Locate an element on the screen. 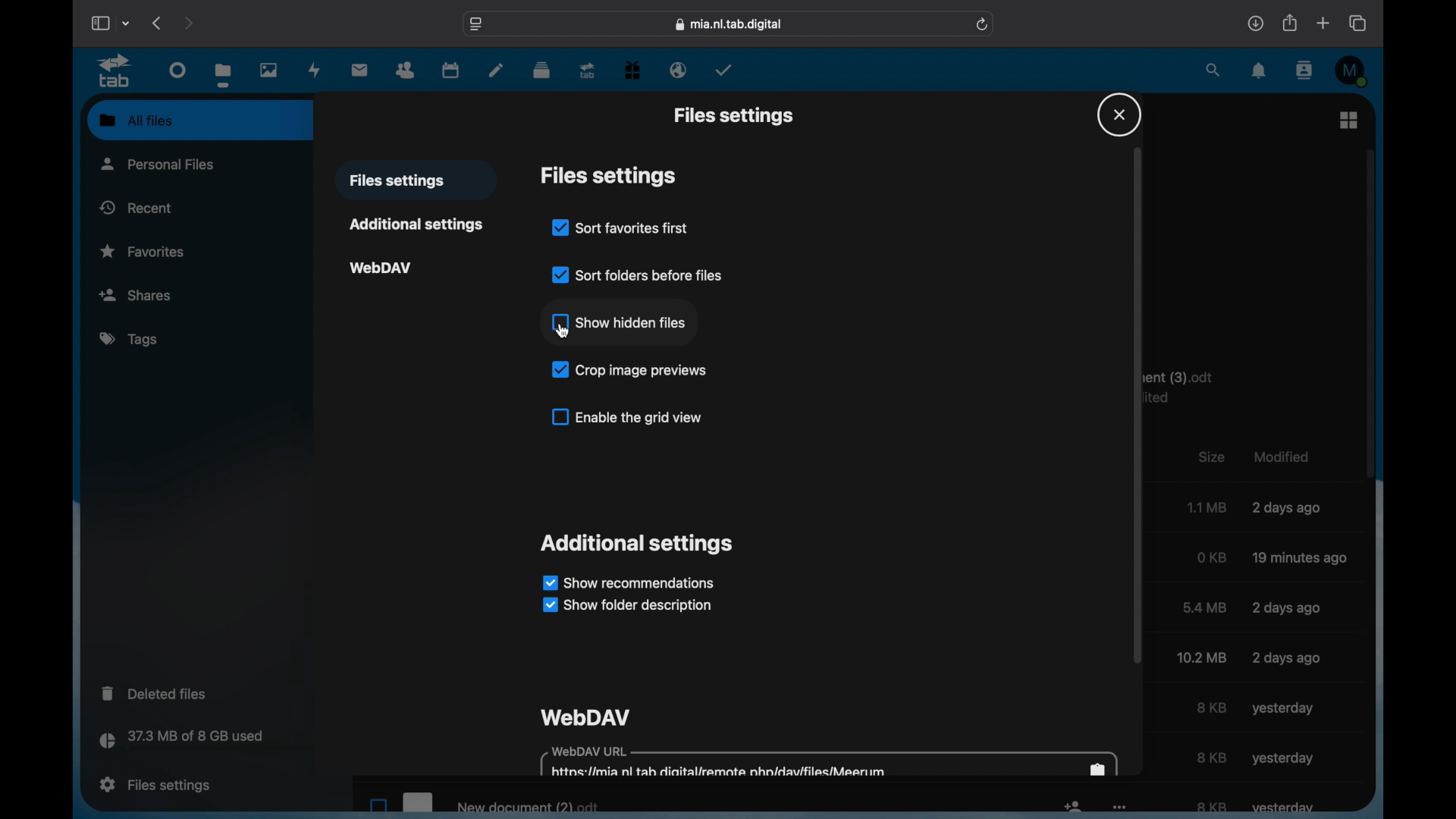 The image size is (1456, 819). size is located at coordinates (1211, 708).